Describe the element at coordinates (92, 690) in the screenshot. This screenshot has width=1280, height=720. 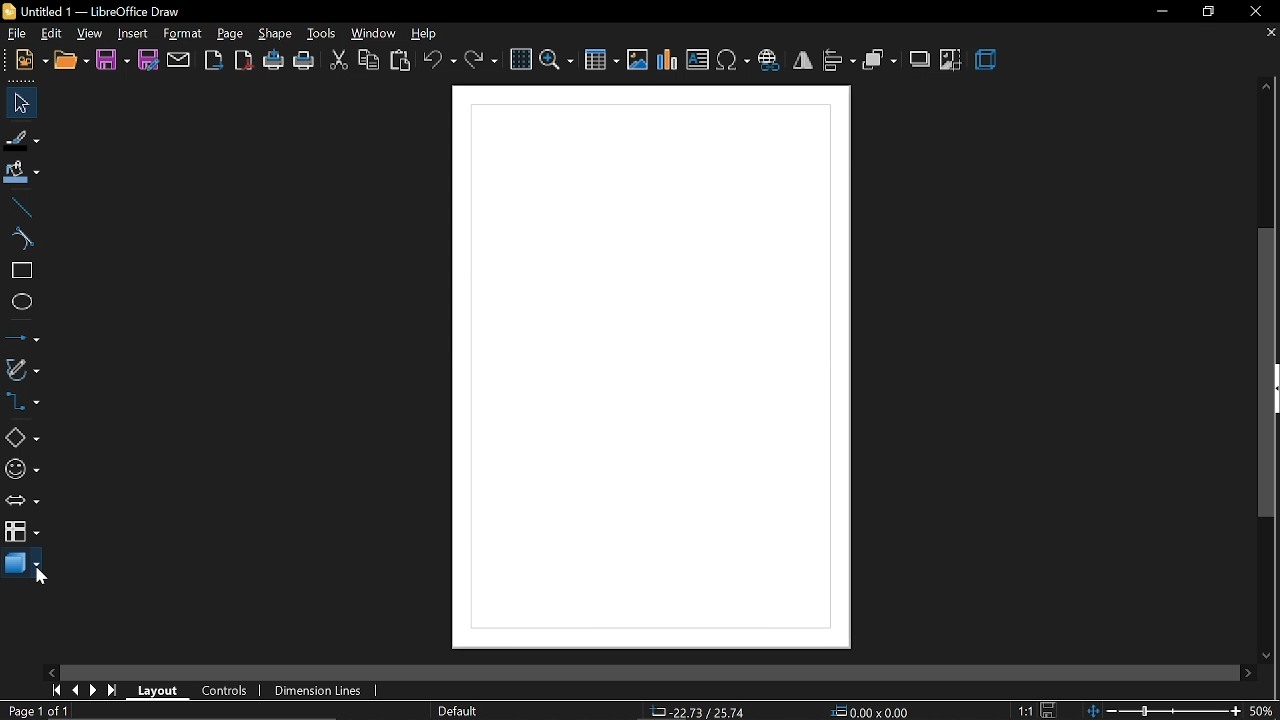
I see `next page` at that location.